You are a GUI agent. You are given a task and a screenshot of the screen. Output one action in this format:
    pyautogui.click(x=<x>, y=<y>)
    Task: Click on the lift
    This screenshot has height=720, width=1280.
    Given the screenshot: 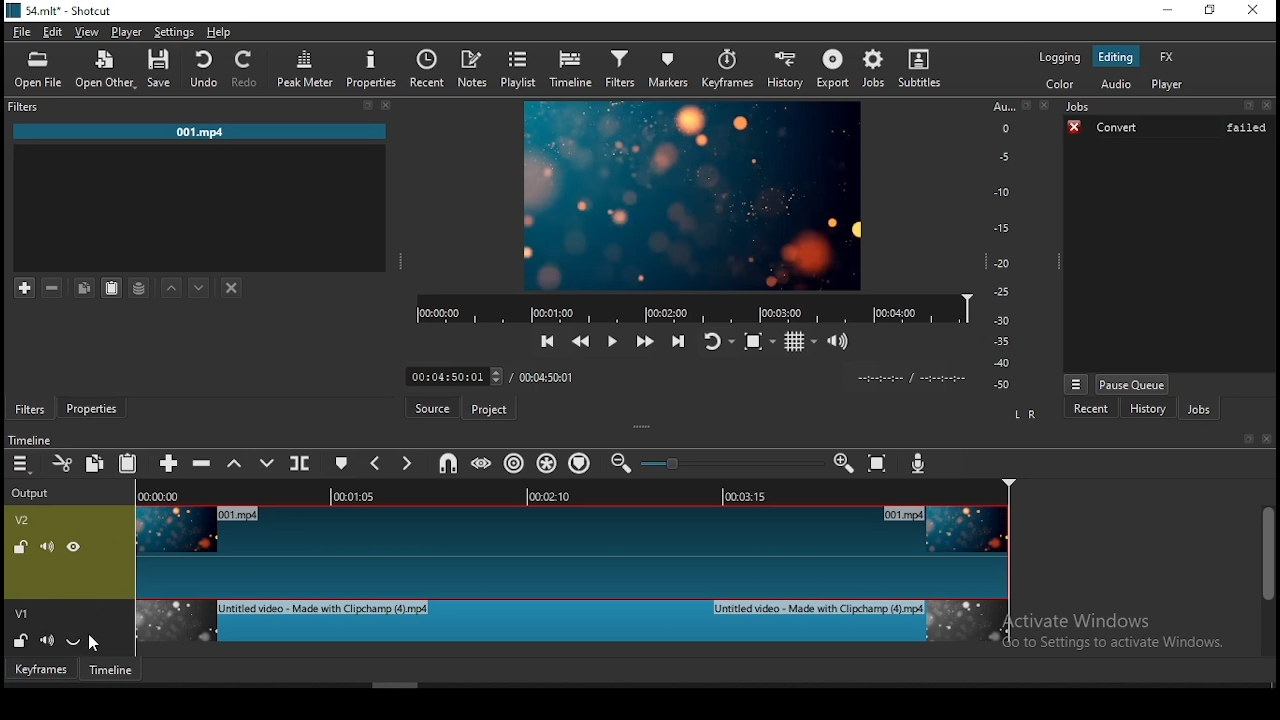 What is the action you would take?
    pyautogui.click(x=233, y=465)
    